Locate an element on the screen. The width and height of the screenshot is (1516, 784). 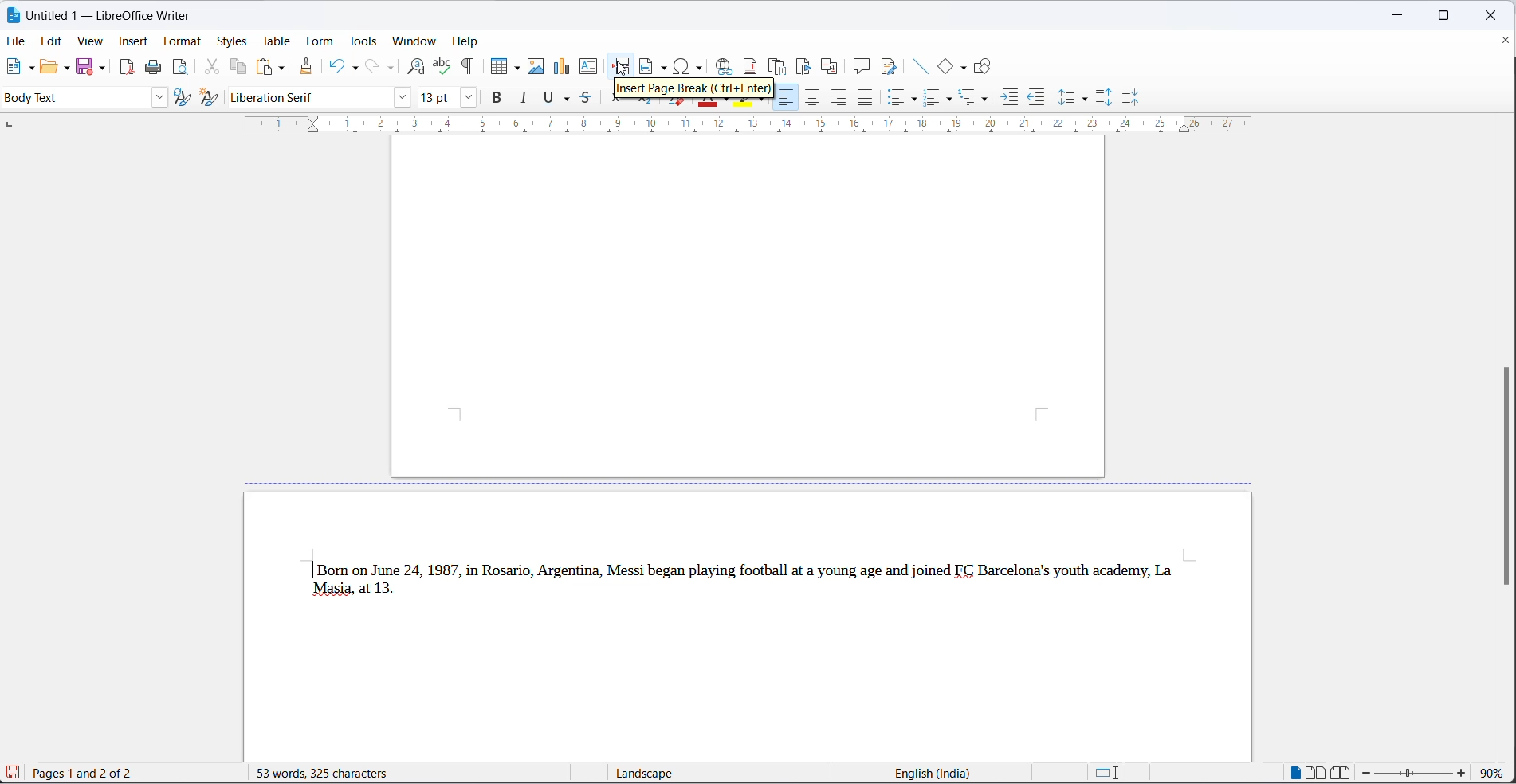
redo is located at coordinates (371, 67).